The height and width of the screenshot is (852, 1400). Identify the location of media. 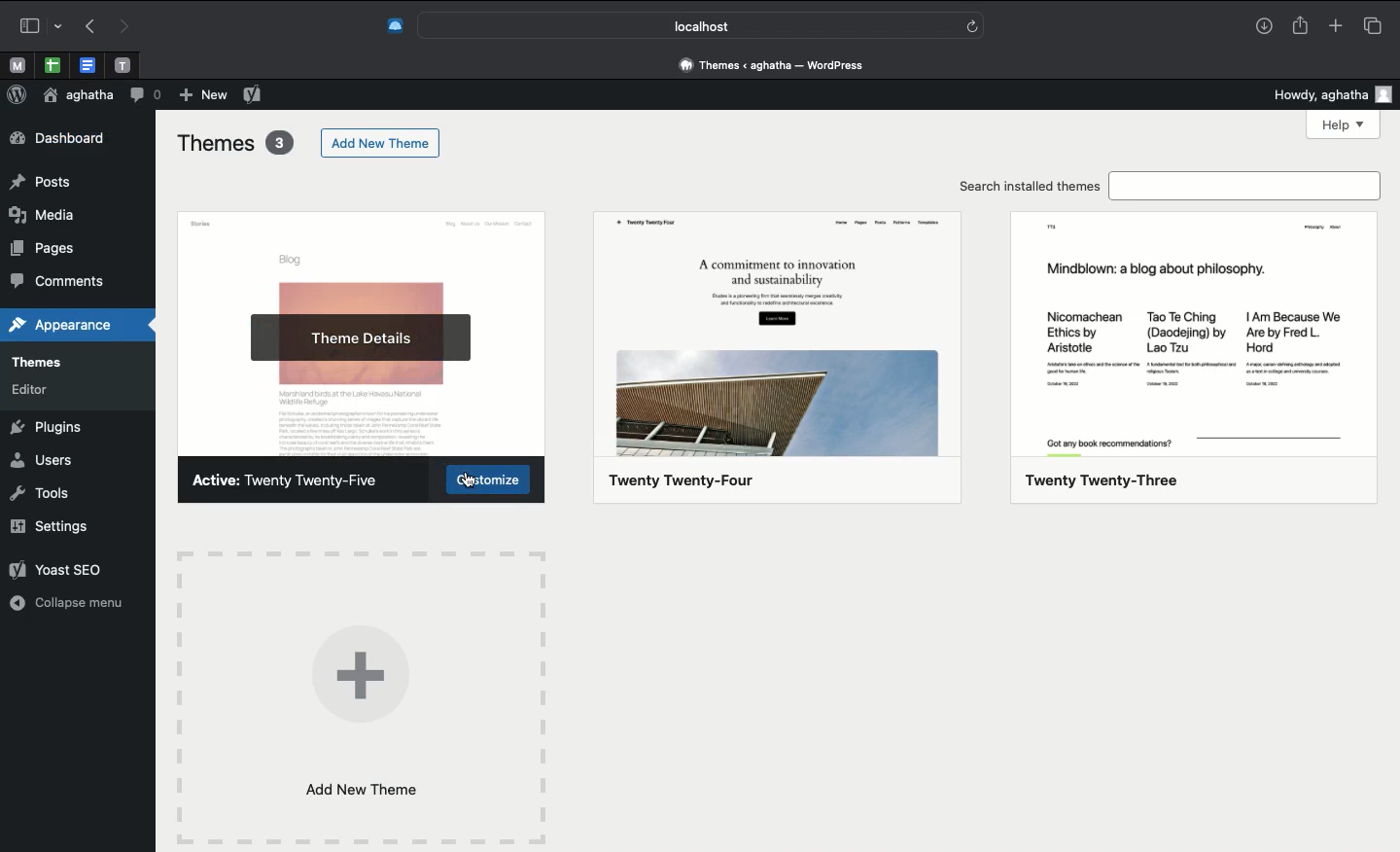
(45, 217).